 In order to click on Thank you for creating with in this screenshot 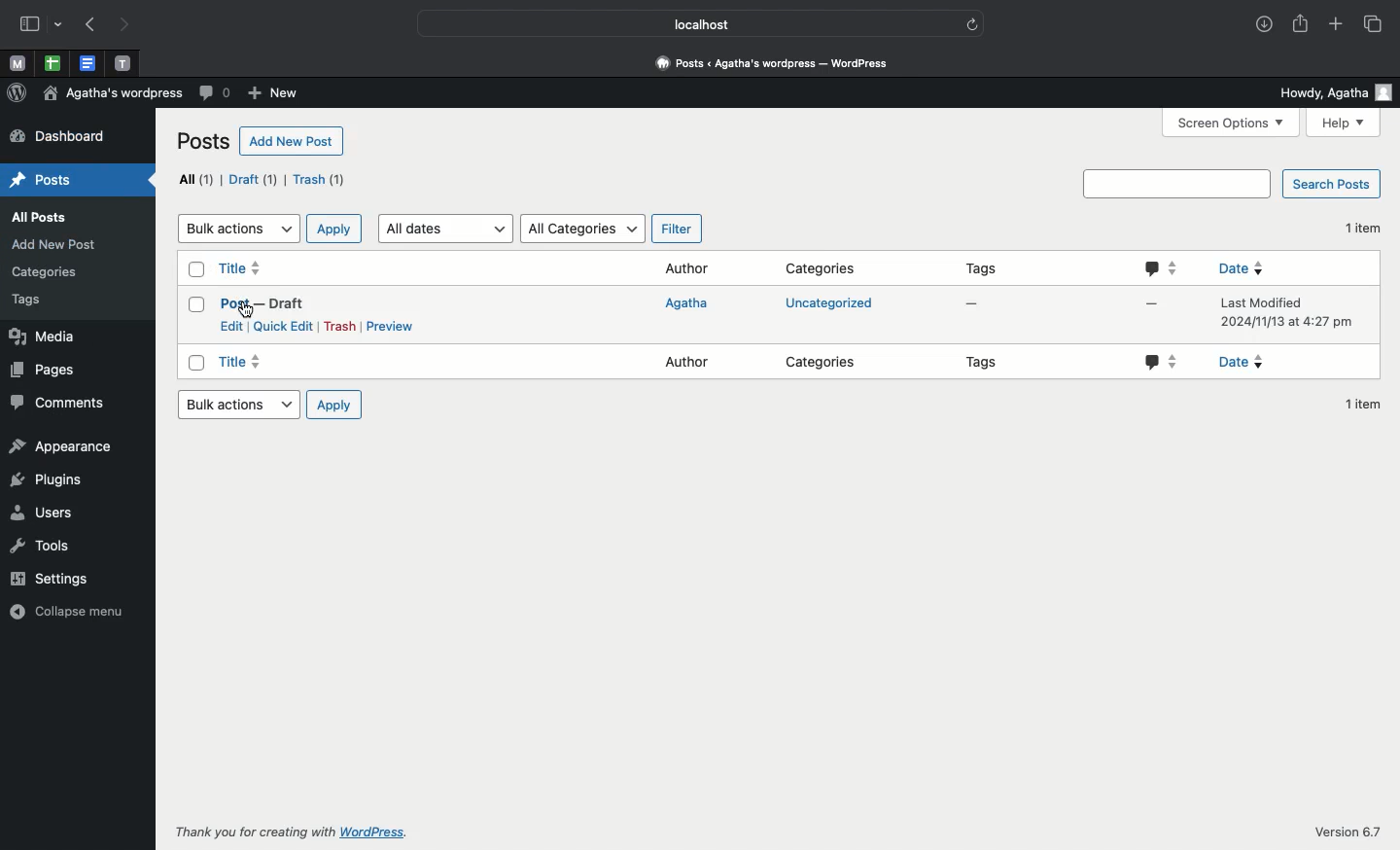, I will do `click(255, 833)`.